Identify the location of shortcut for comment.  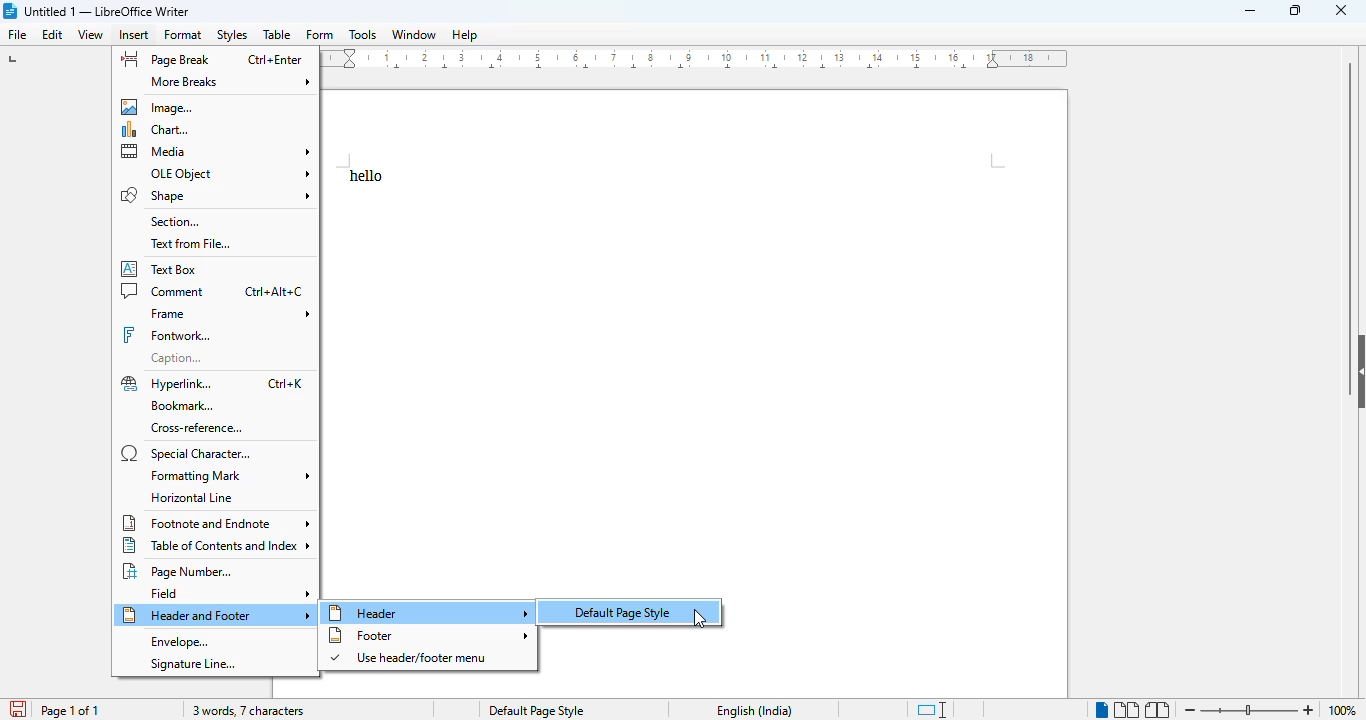
(273, 292).